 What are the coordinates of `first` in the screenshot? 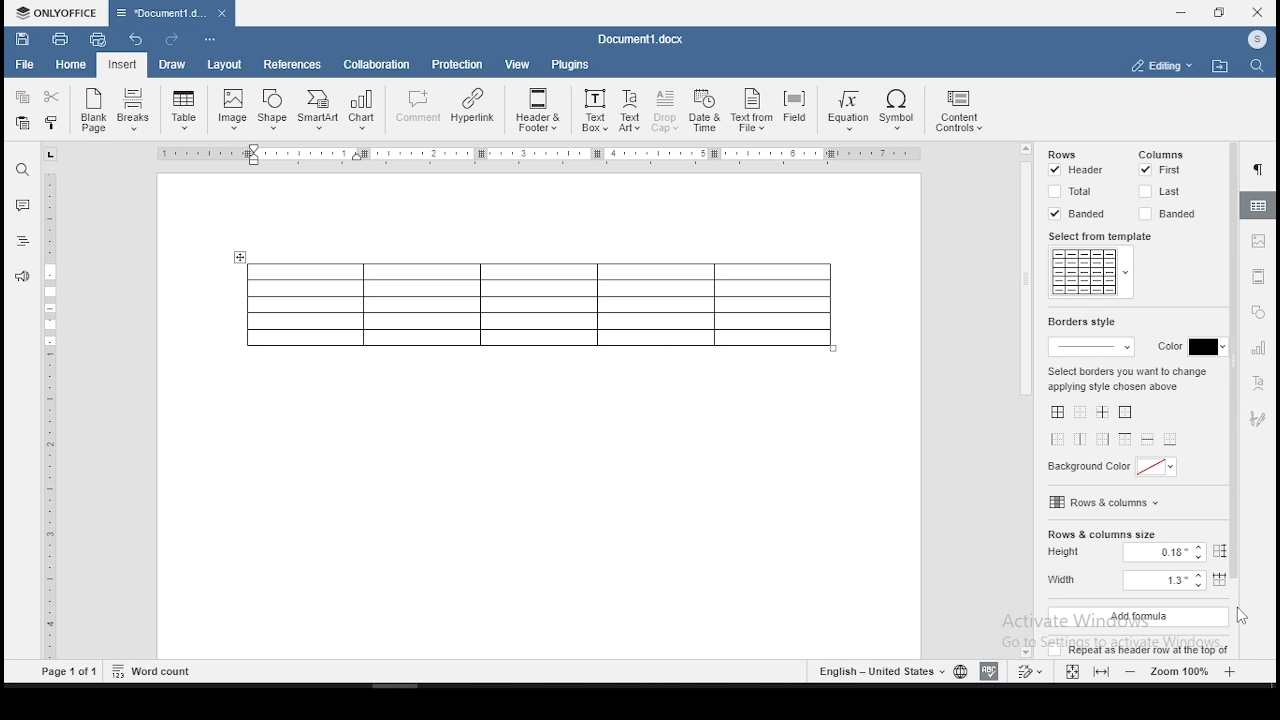 It's located at (1165, 170).